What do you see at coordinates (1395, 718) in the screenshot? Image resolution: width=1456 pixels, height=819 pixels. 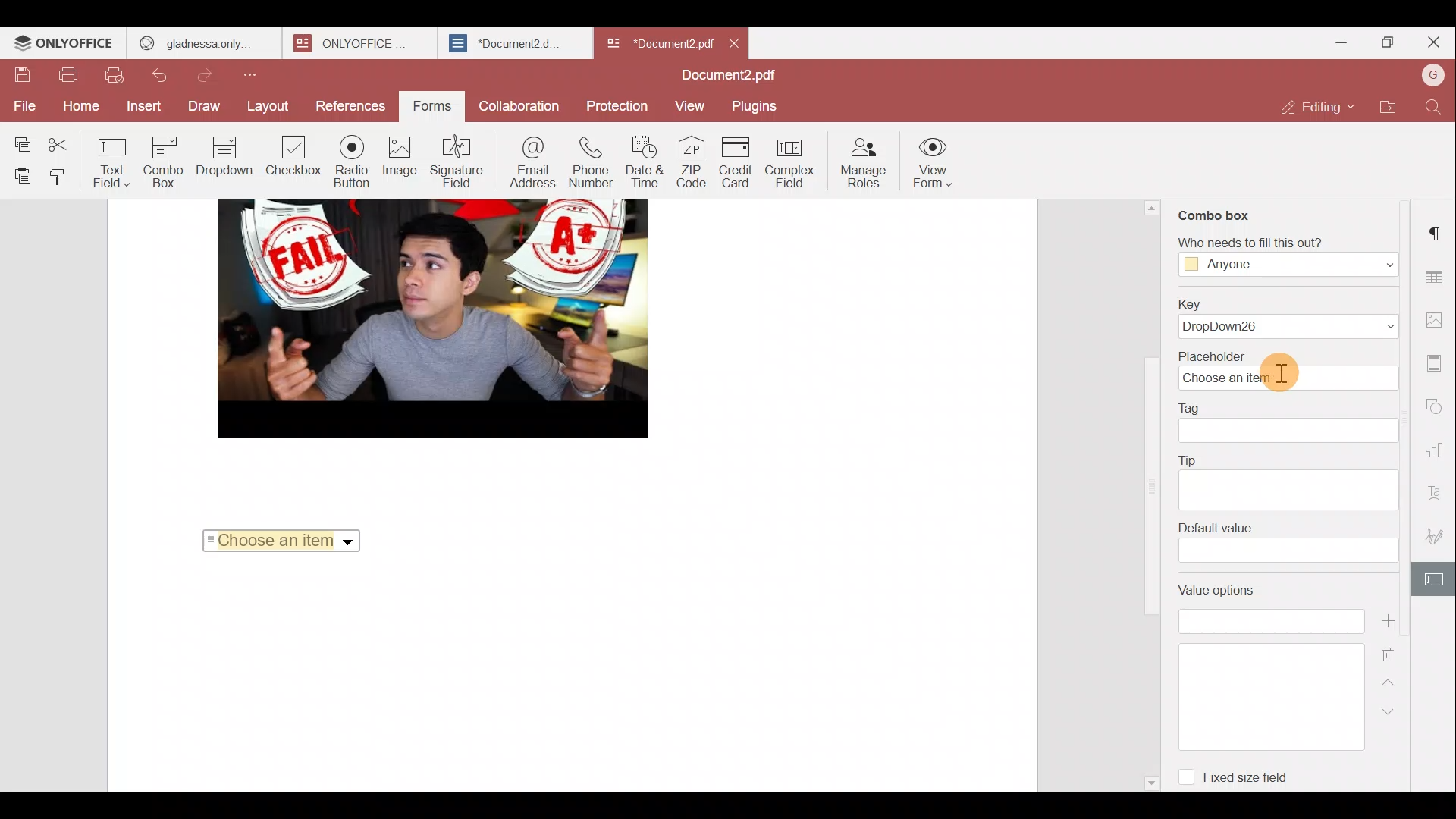 I see `Down` at bounding box center [1395, 718].